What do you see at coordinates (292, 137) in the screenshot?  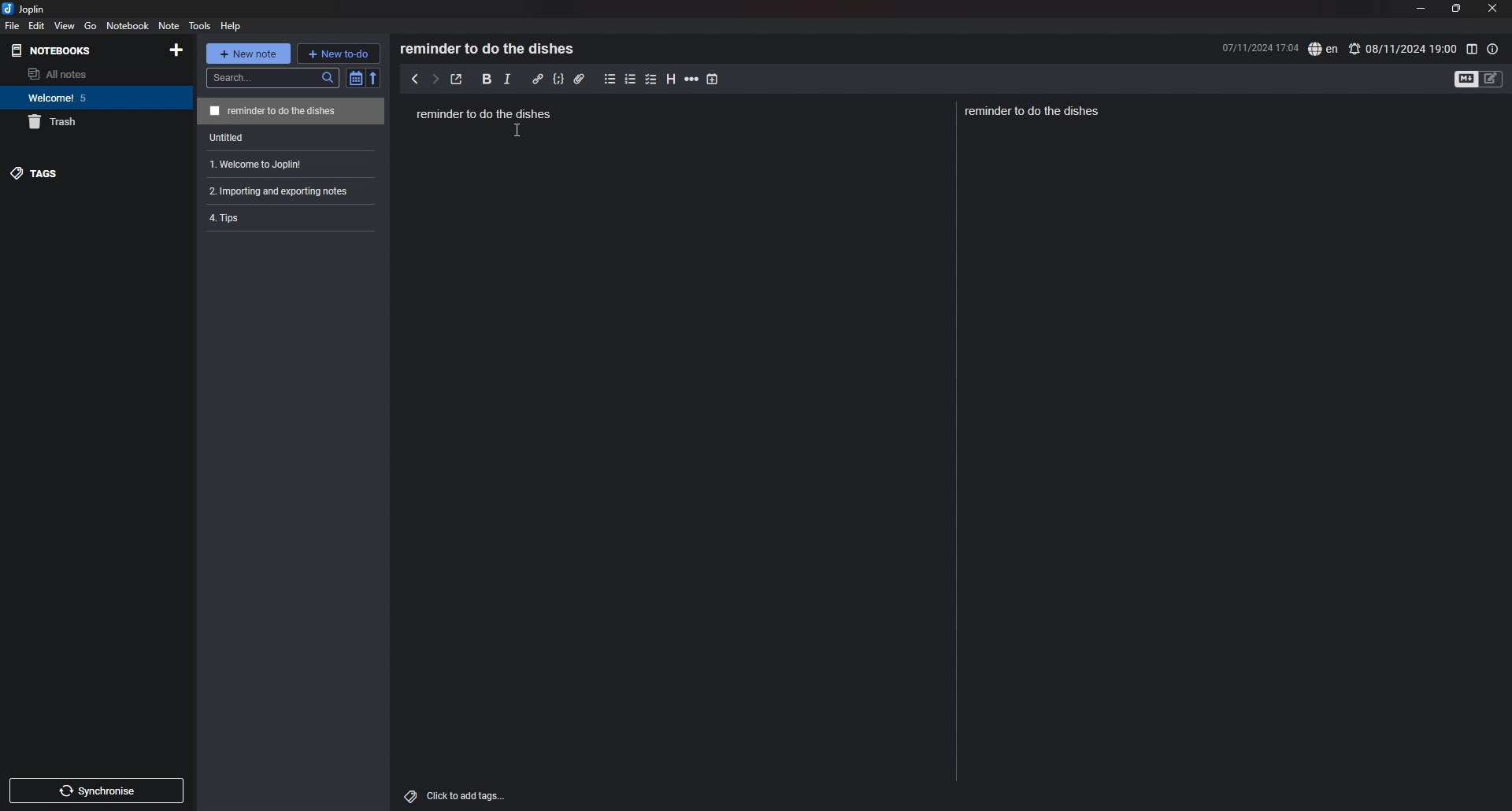 I see `note` at bounding box center [292, 137].